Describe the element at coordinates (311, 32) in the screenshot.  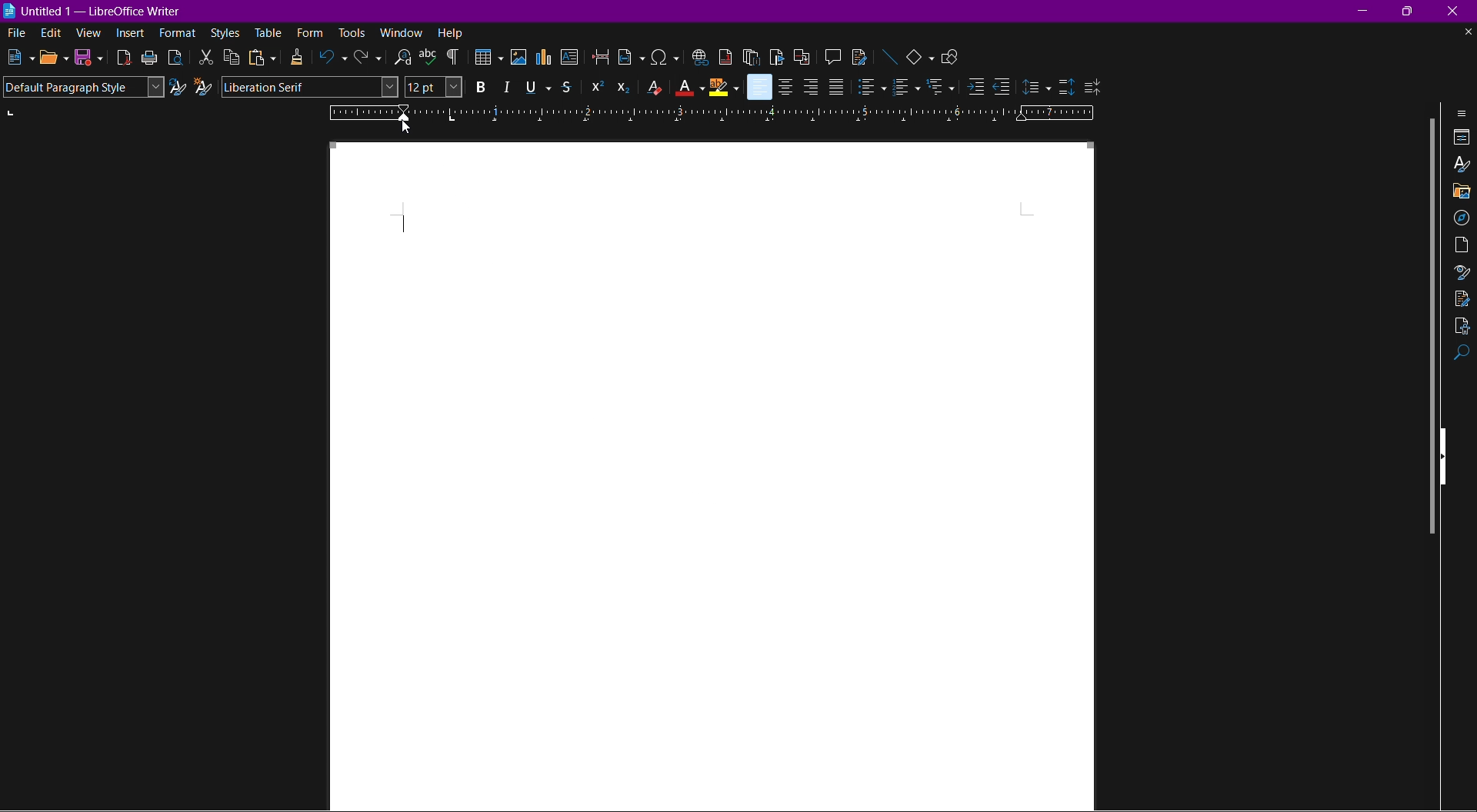
I see `form` at that location.